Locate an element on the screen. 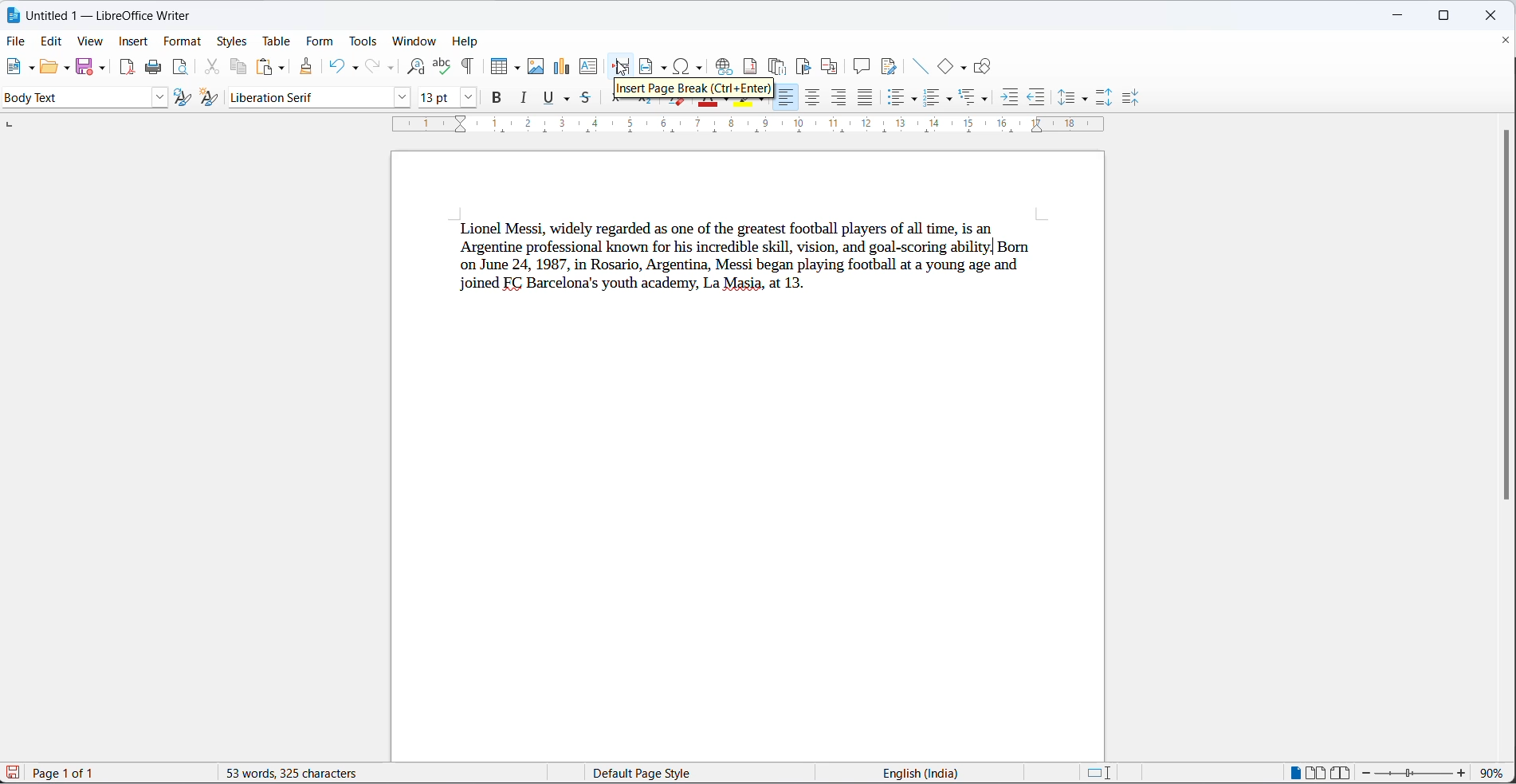  zoom percentage is located at coordinates (1495, 772).